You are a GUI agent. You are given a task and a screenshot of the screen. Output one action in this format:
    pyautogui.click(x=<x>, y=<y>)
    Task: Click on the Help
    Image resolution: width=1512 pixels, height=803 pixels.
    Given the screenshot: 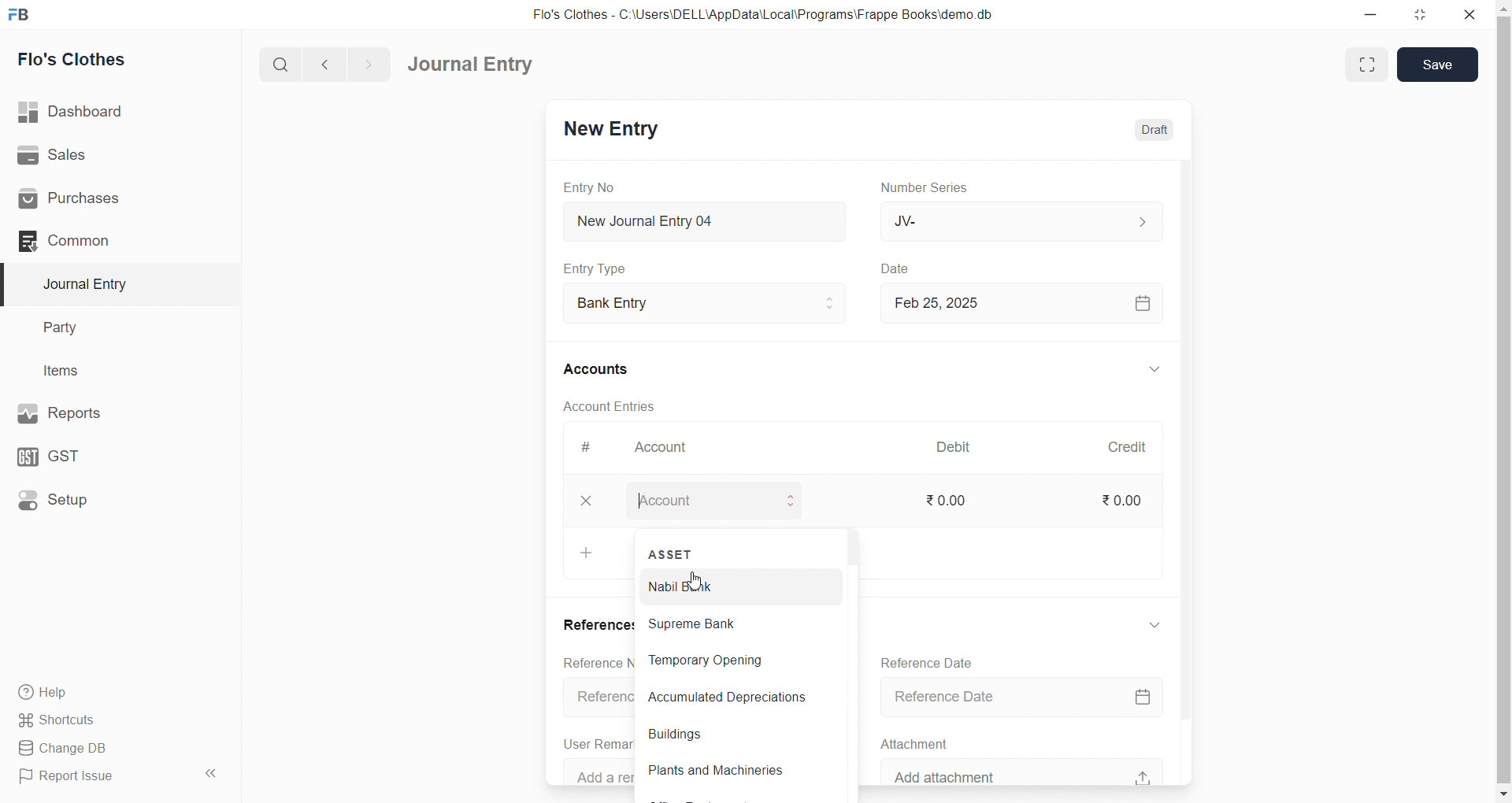 What is the action you would take?
    pyautogui.click(x=114, y=691)
    